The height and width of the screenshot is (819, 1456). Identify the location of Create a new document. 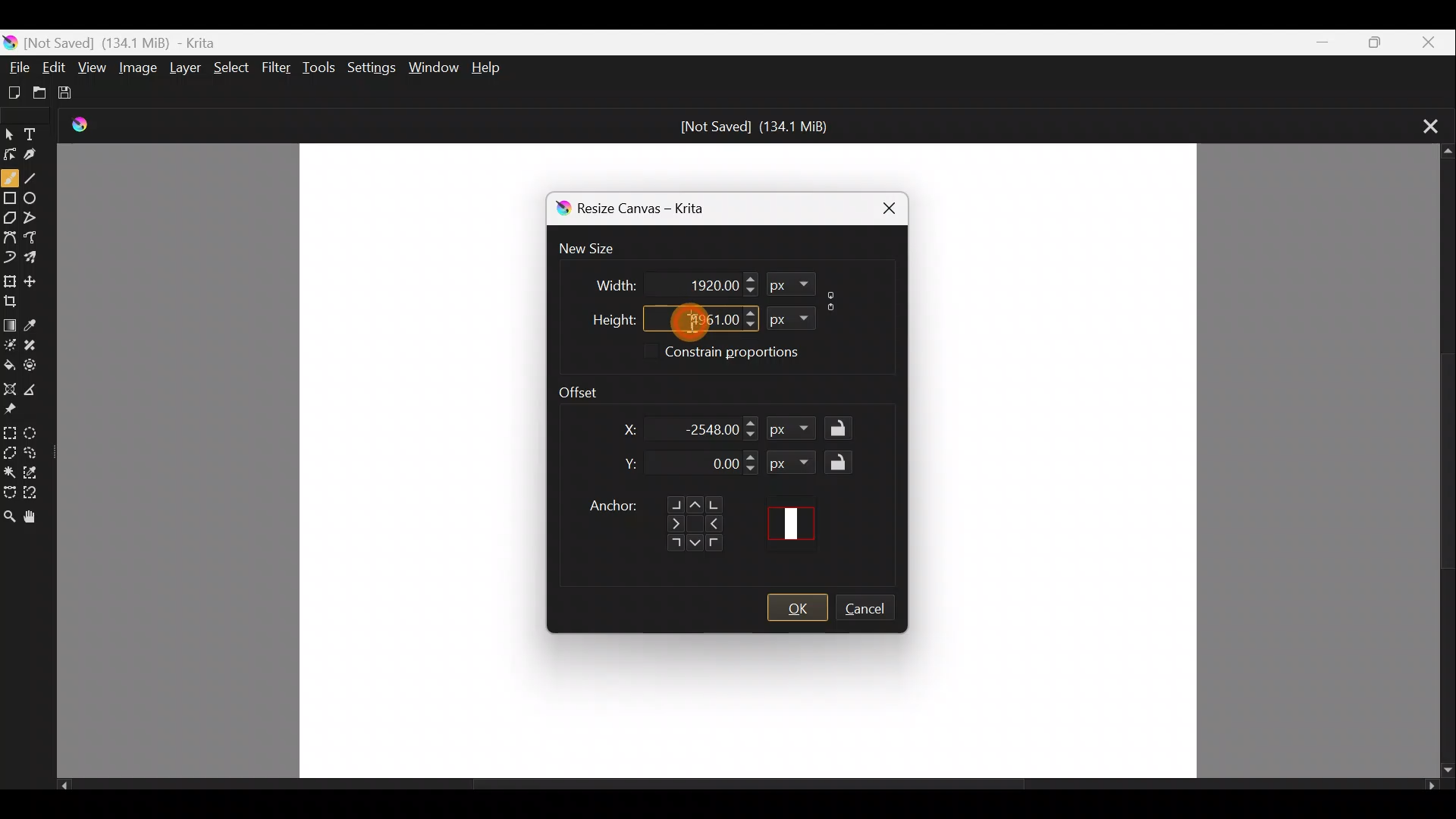
(15, 92).